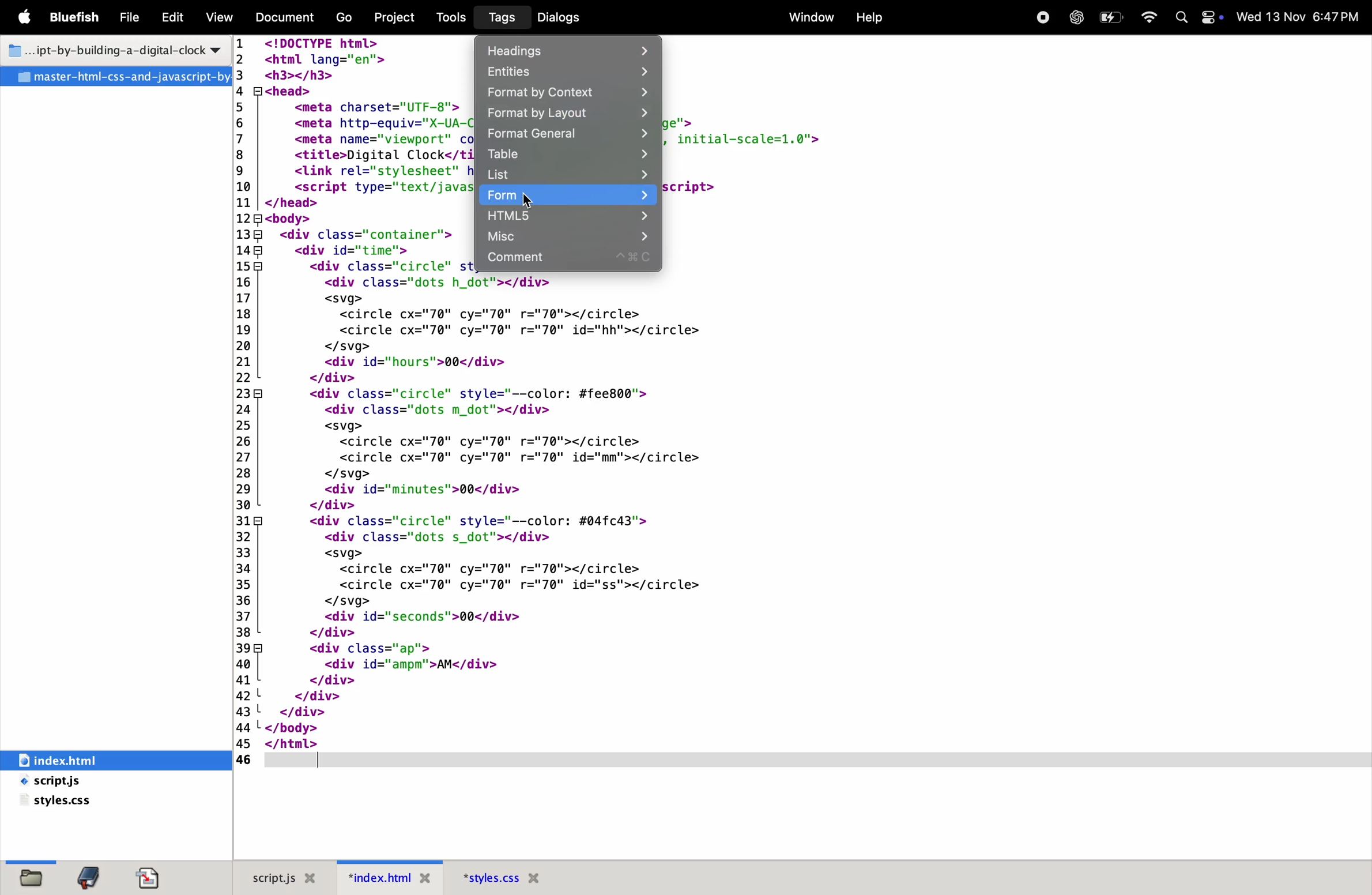  I want to click on record, so click(1039, 17).